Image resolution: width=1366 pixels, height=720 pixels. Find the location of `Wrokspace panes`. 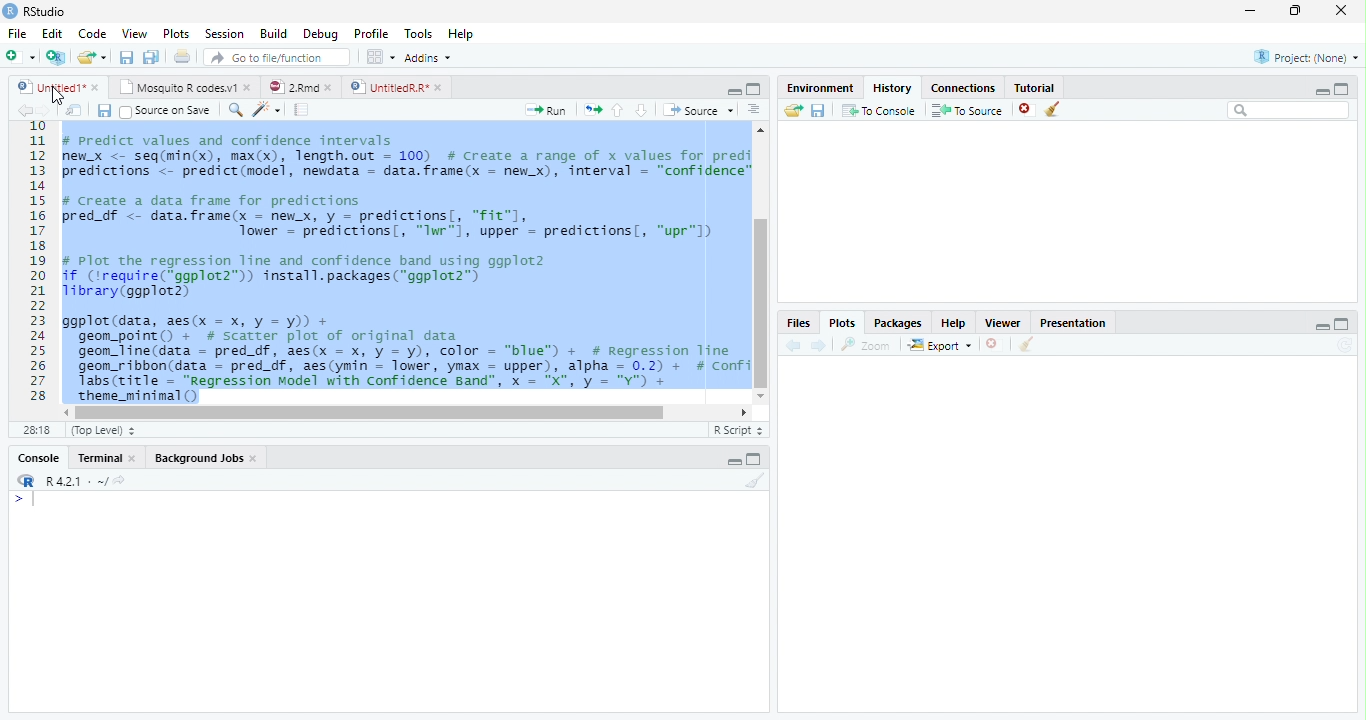

Wrokspace panes is located at coordinates (379, 57).